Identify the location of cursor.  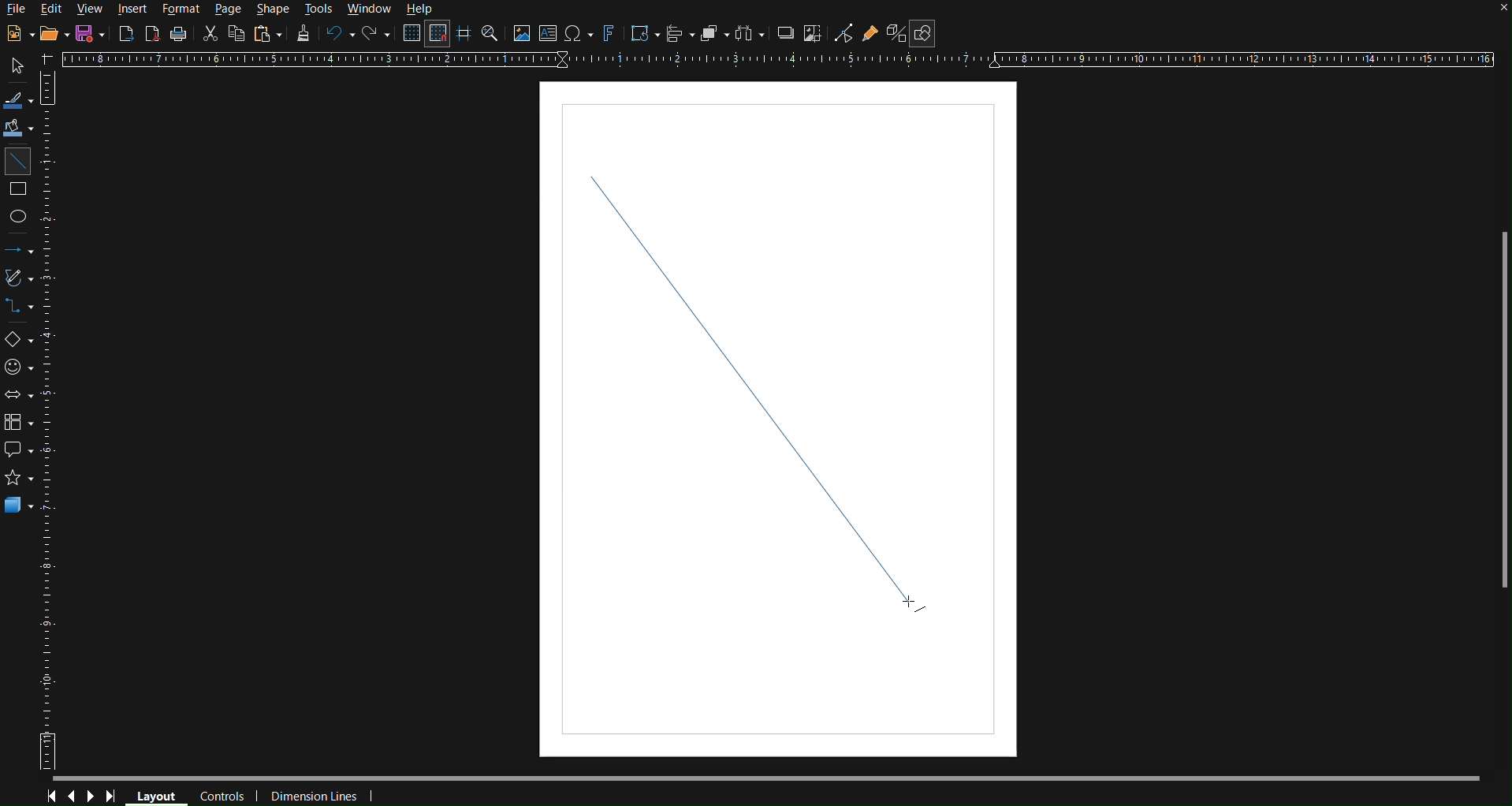
(916, 603).